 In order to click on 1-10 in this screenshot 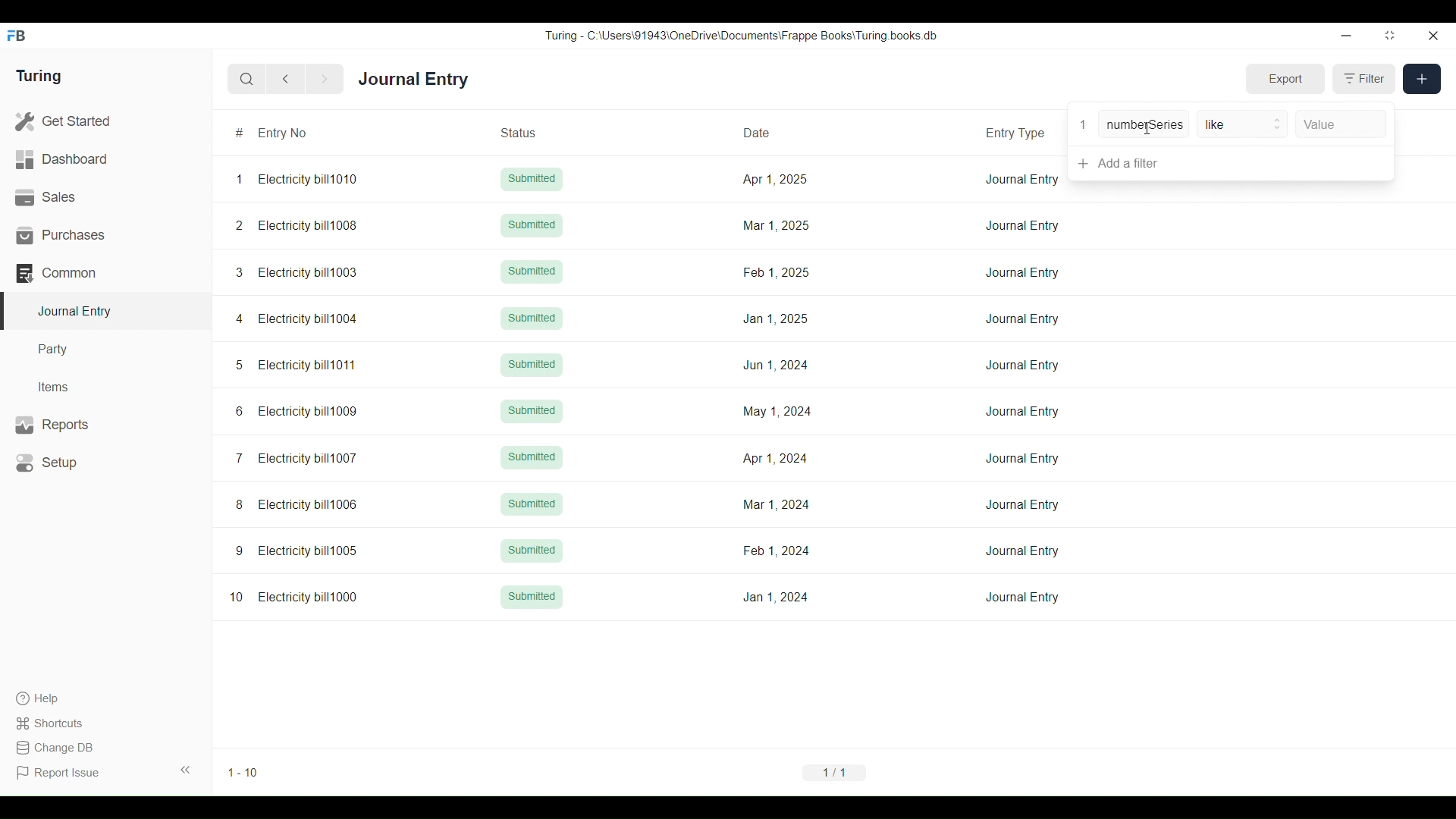, I will do `click(243, 773)`.